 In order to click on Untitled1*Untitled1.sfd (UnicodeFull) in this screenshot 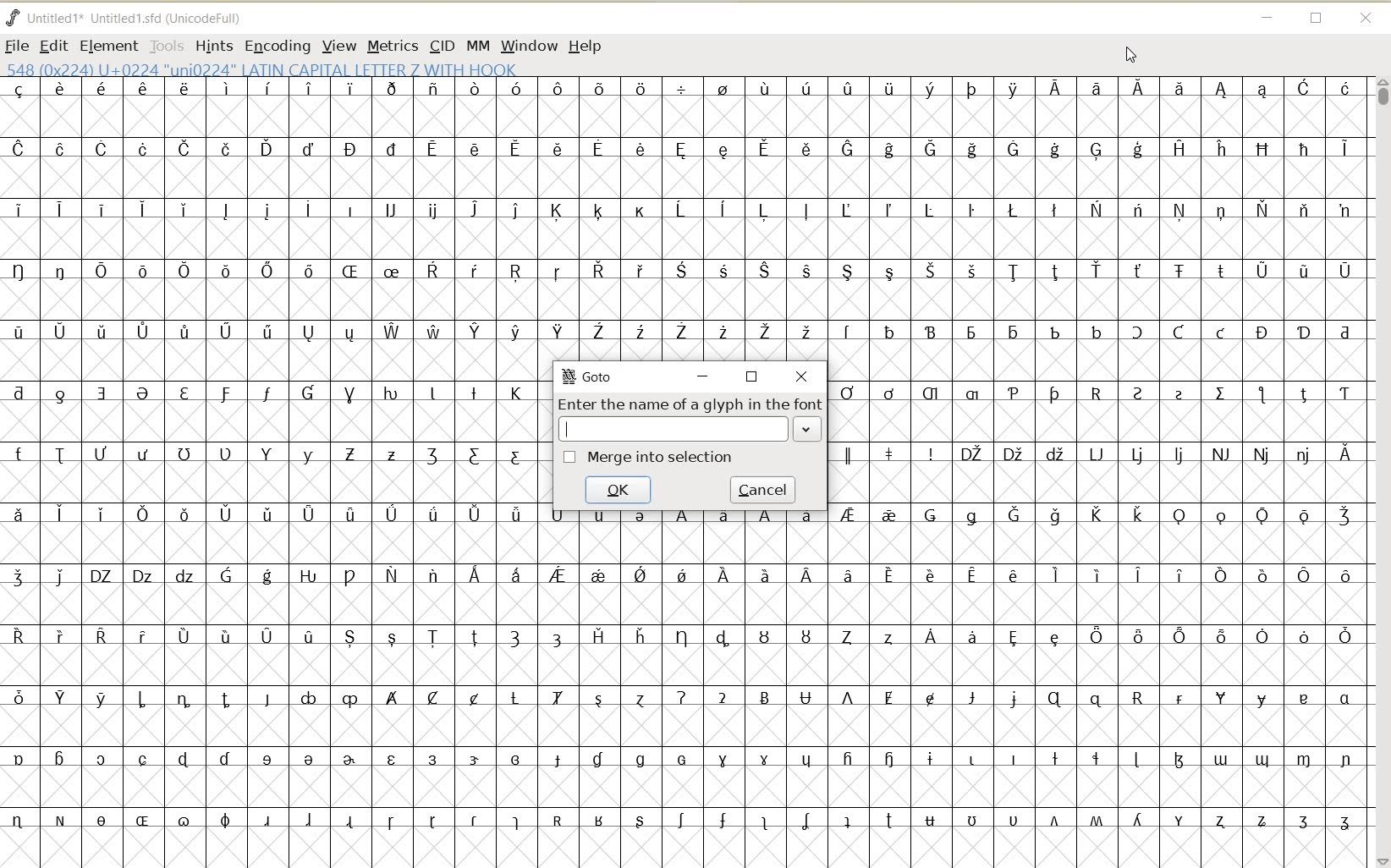, I will do `click(138, 18)`.